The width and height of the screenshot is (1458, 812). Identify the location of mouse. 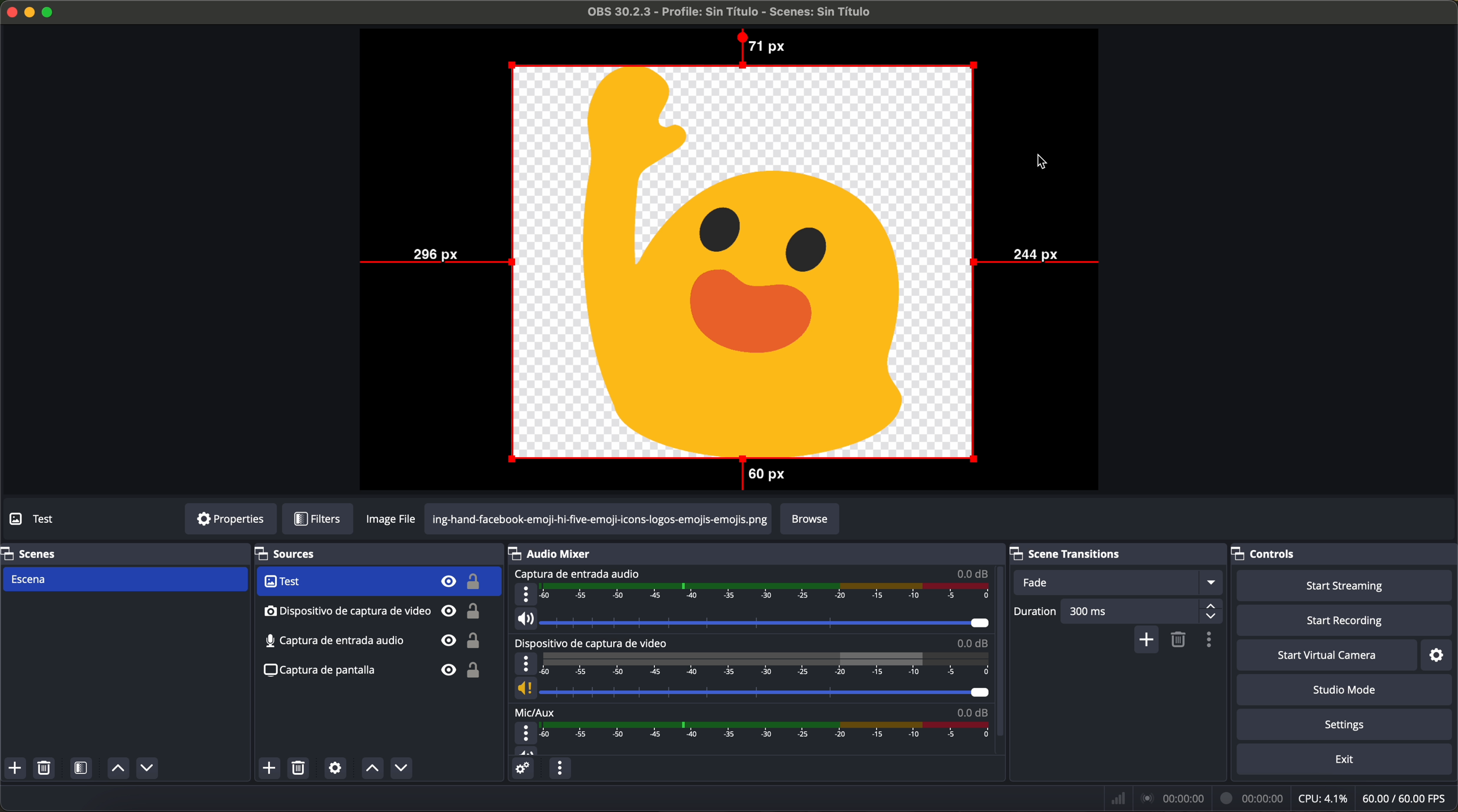
(1043, 158).